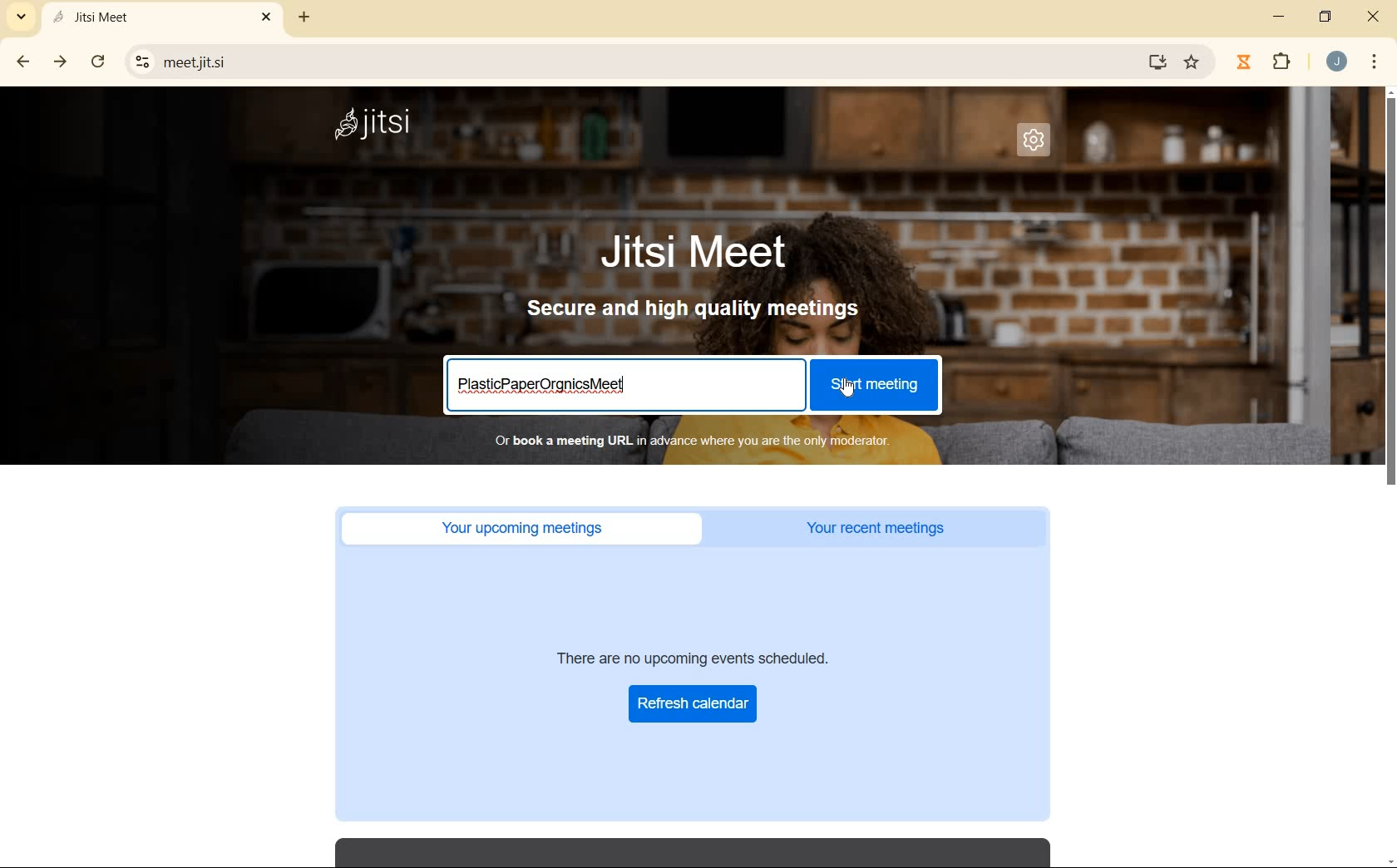 This screenshot has height=868, width=1397. I want to click on There are no upcoming events scheduled, so click(719, 657).